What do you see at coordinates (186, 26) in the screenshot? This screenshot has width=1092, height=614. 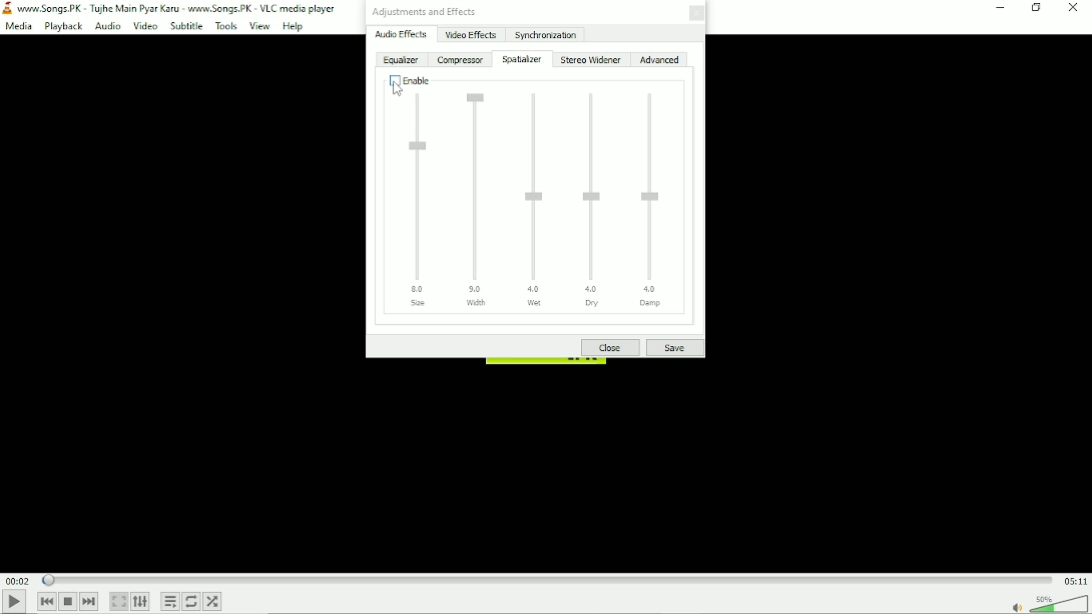 I see `Subtitle` at bounding box center [186, 26].